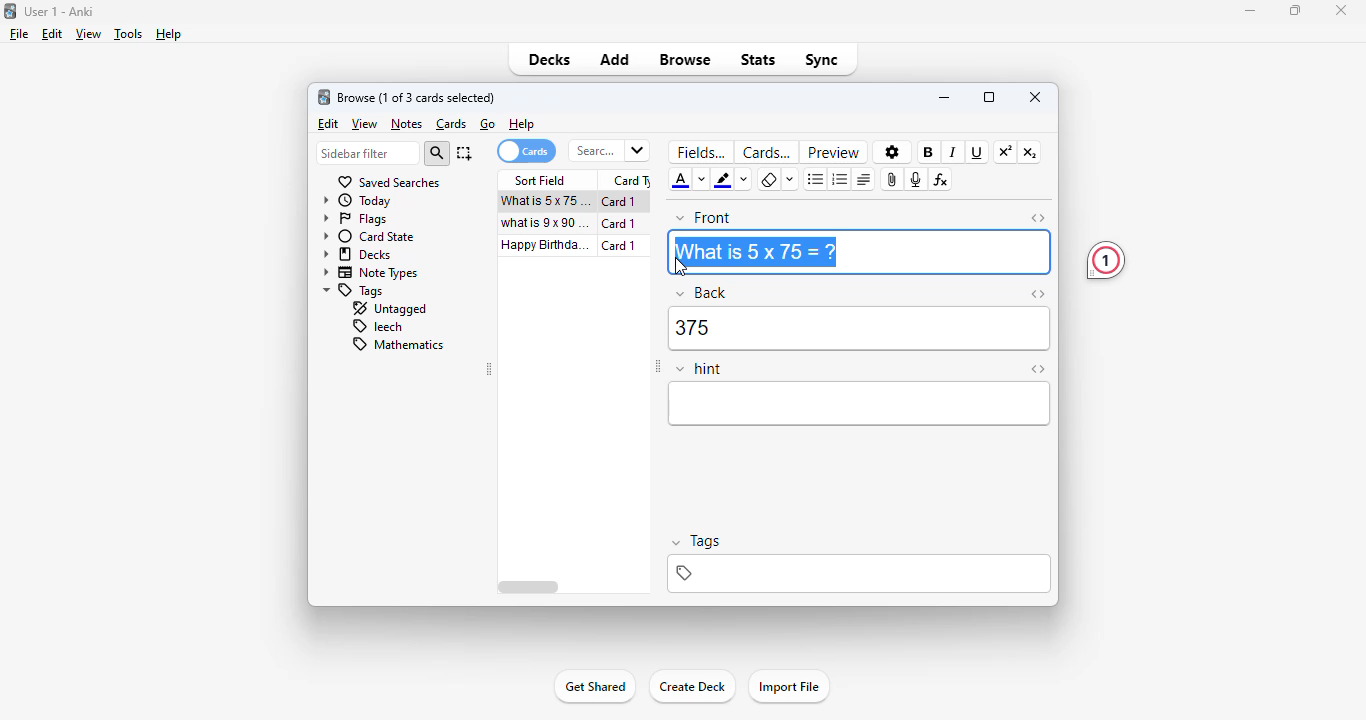 This screenshot has height=720, width=1366. Describe the element at coordinates (546, 201) in the screenshot. I see `what is 5x75=?` at that location.